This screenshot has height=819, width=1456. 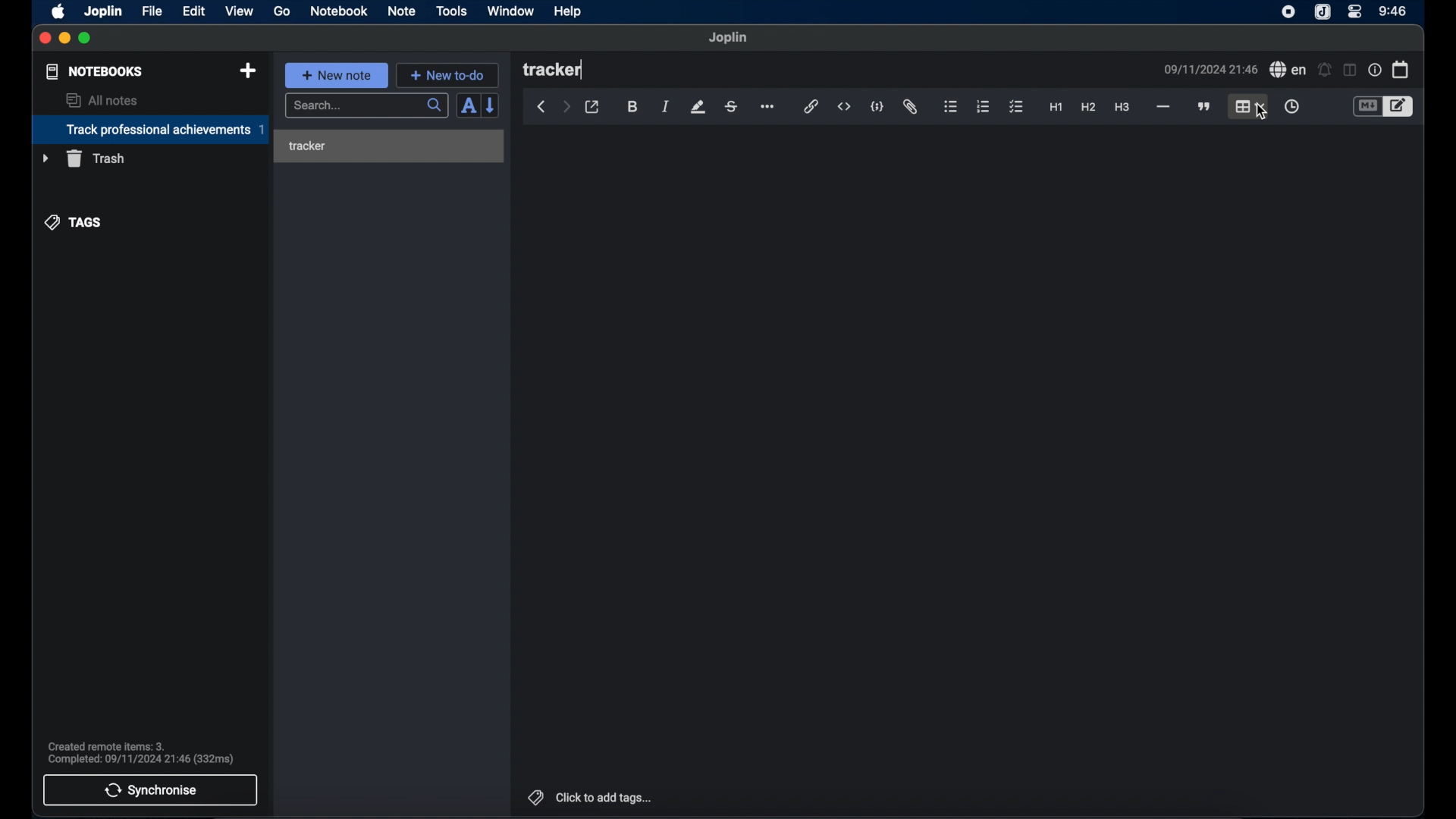 I want to click on apple icon, so click(x=59, y=11).